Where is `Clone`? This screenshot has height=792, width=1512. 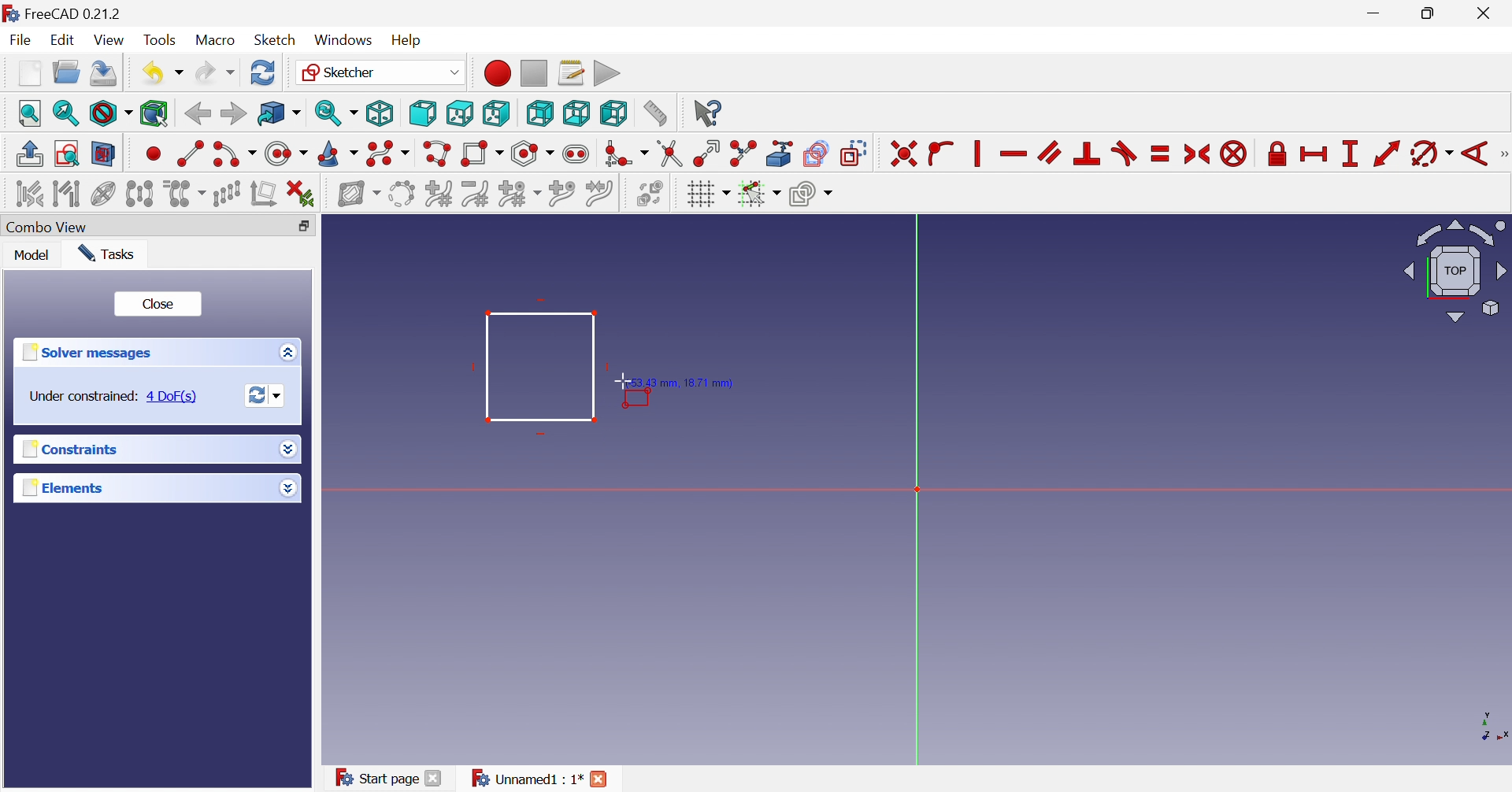
Clone is located at coordinates (184, 194).